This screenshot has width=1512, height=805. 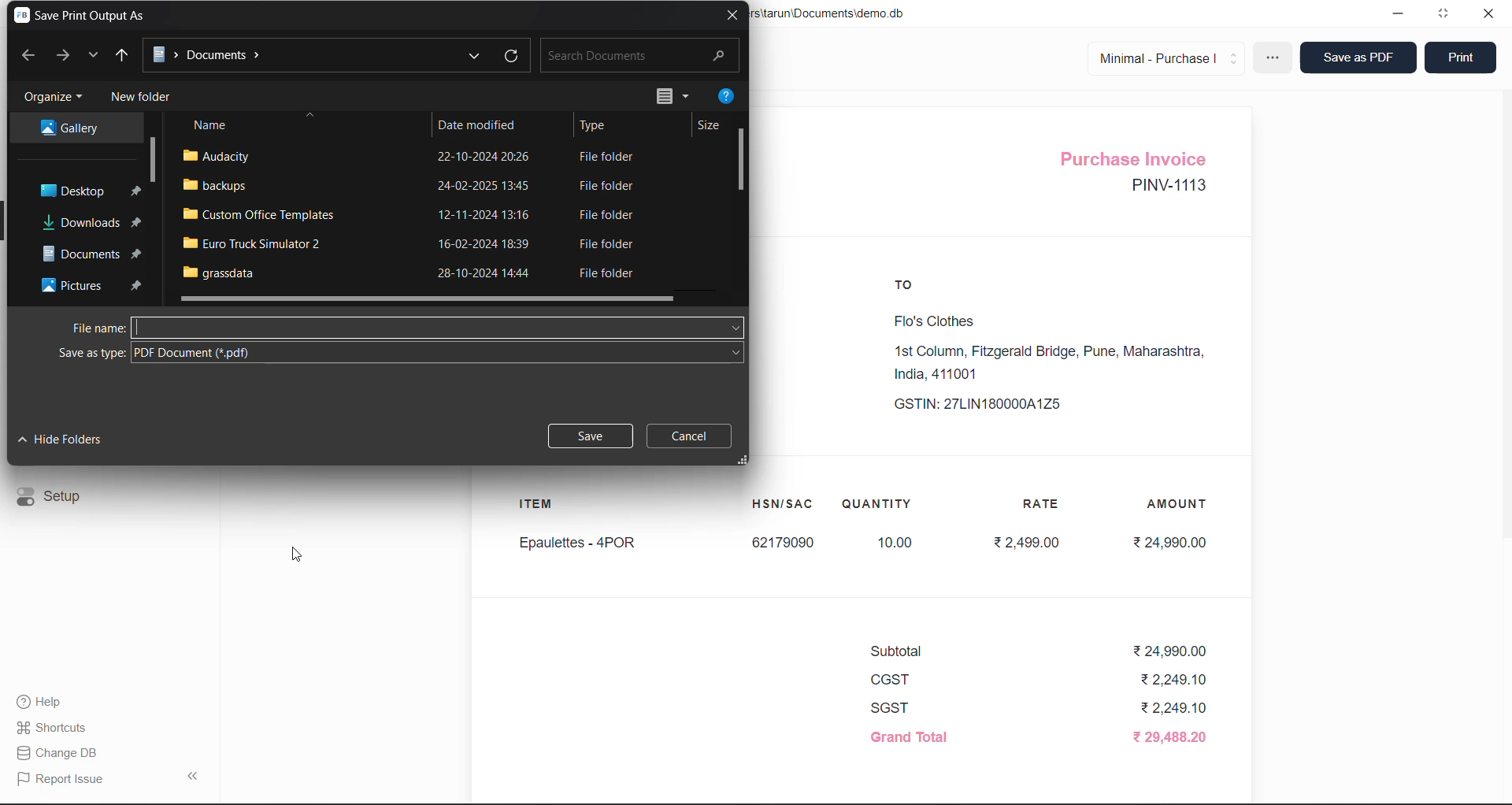 What do you see at coordinates (198, 777) in the screenshot?
I see `collapse` at bounding box center [198, 777].